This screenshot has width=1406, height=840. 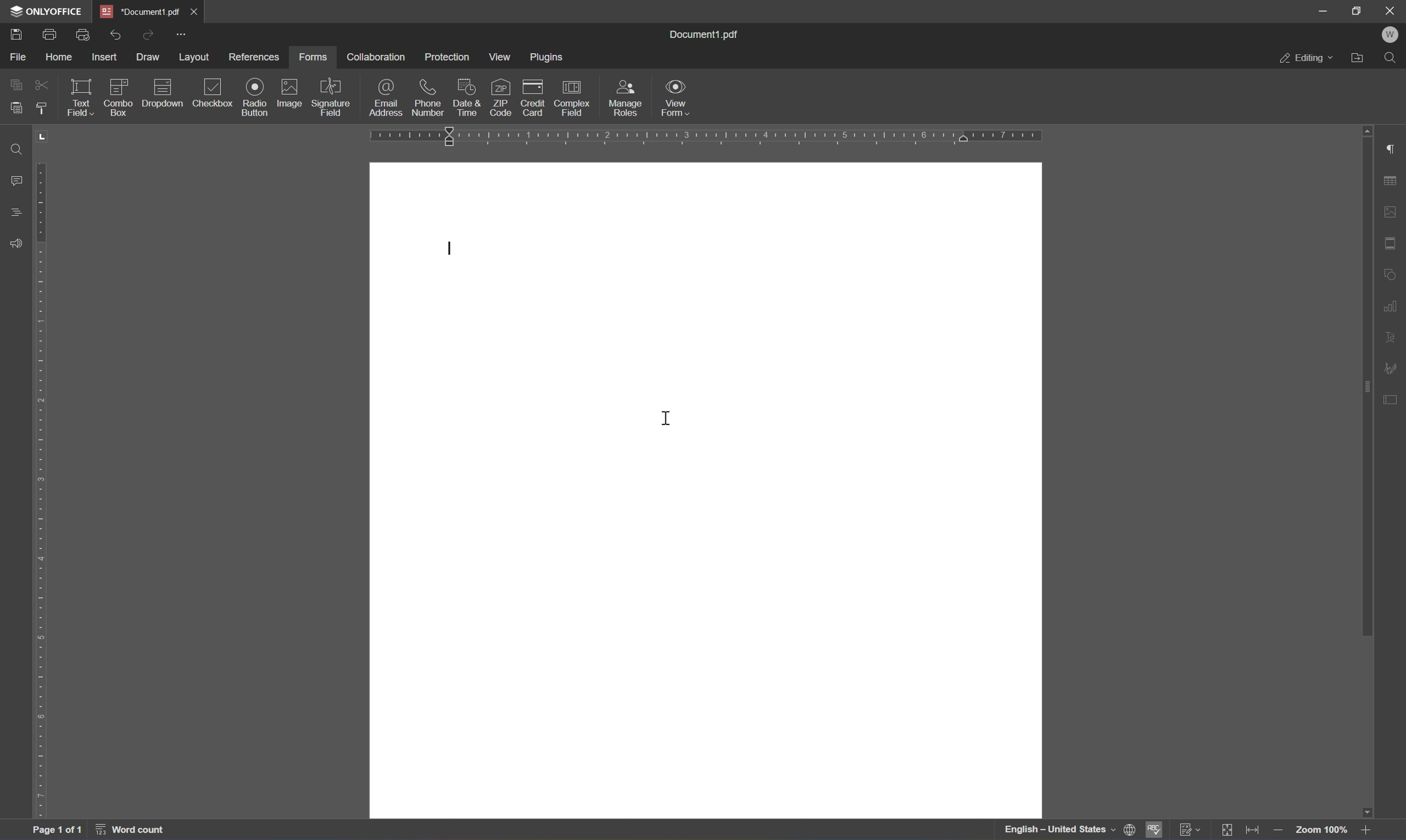 I want to click on checkbox, so click(x=212, y=96).